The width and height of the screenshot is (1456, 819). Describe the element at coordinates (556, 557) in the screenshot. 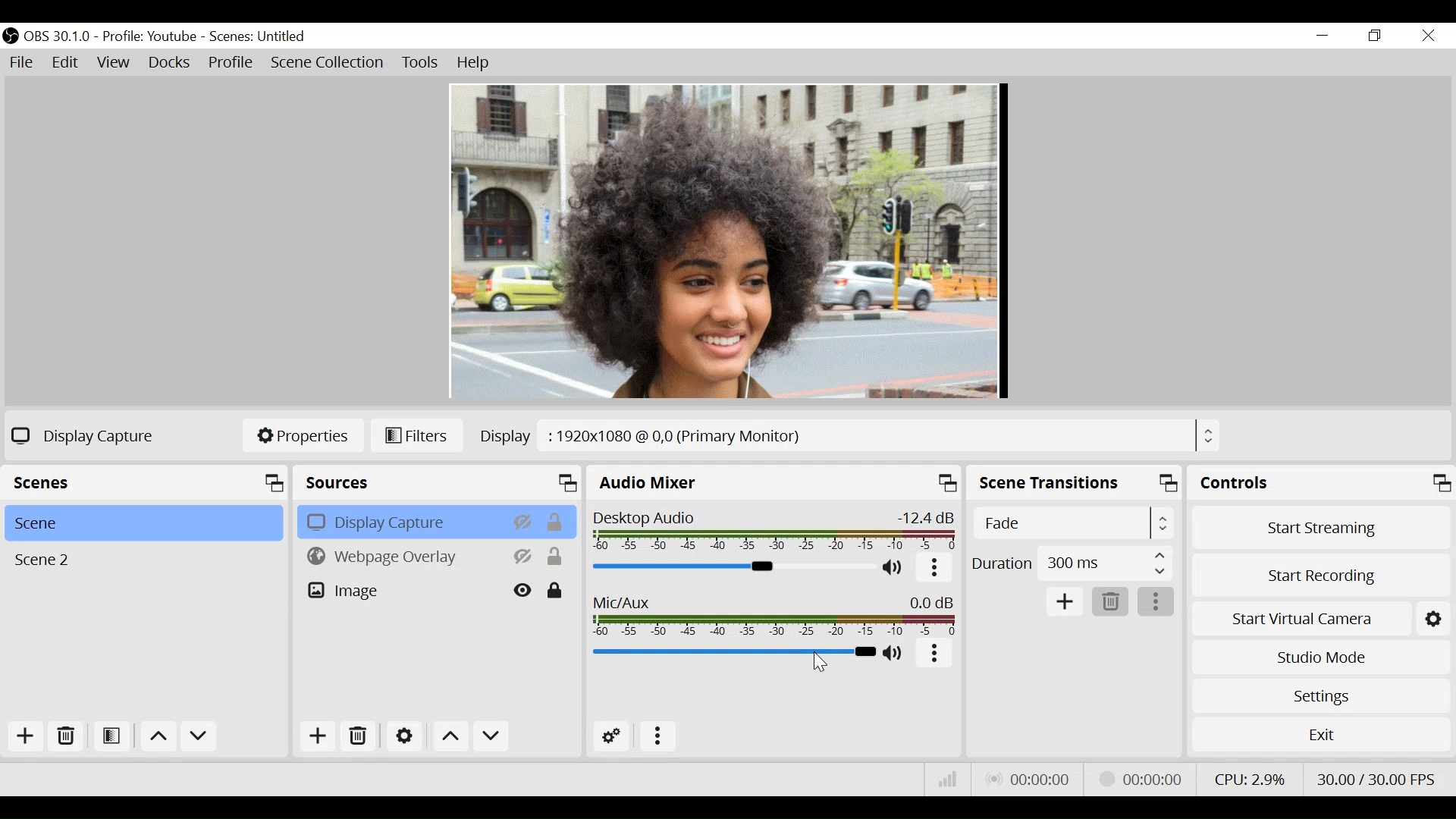

I see `(un)lock` at that location.